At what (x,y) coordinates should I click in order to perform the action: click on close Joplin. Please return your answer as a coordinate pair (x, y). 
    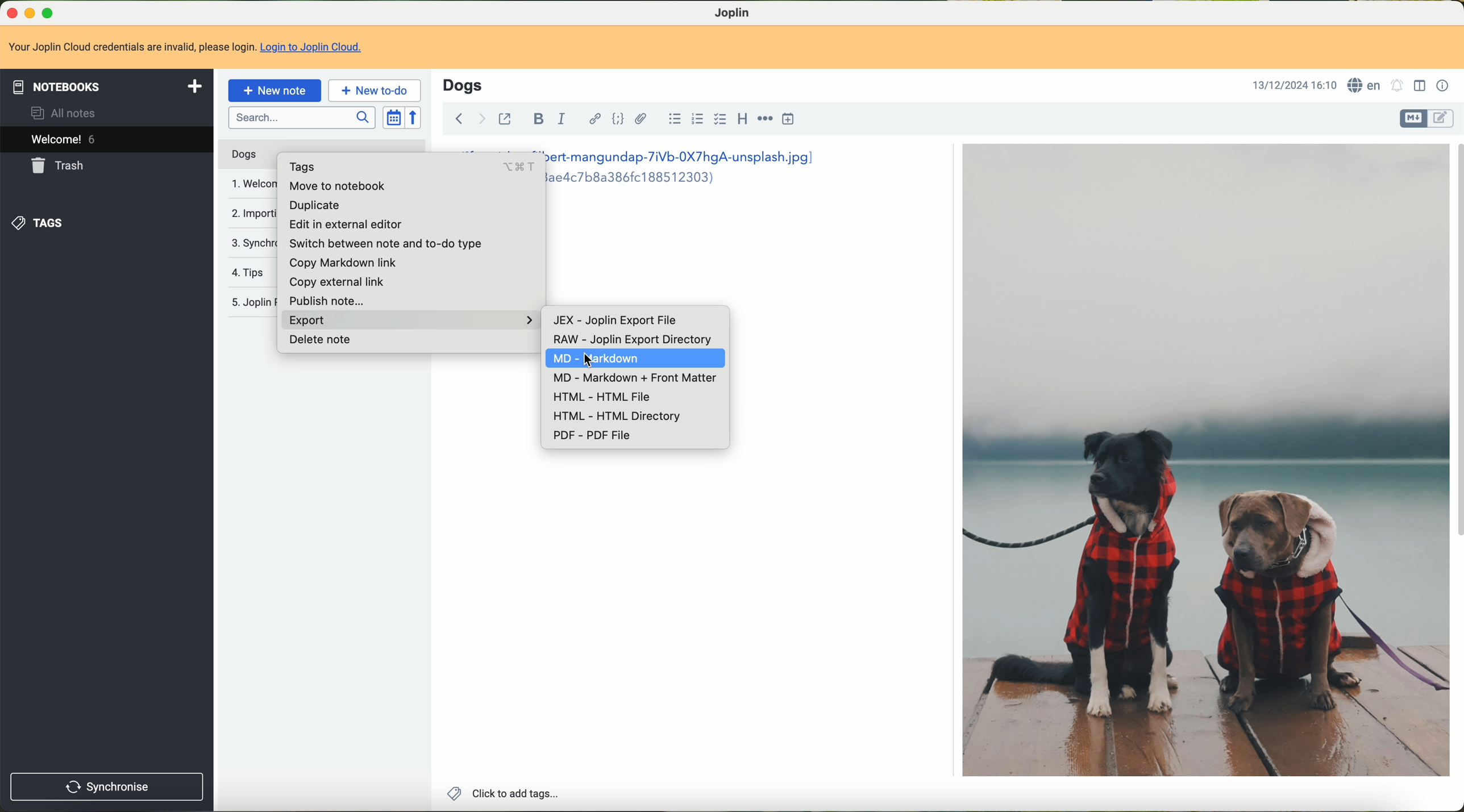
    Looking at the image, I should click on (9, 12).